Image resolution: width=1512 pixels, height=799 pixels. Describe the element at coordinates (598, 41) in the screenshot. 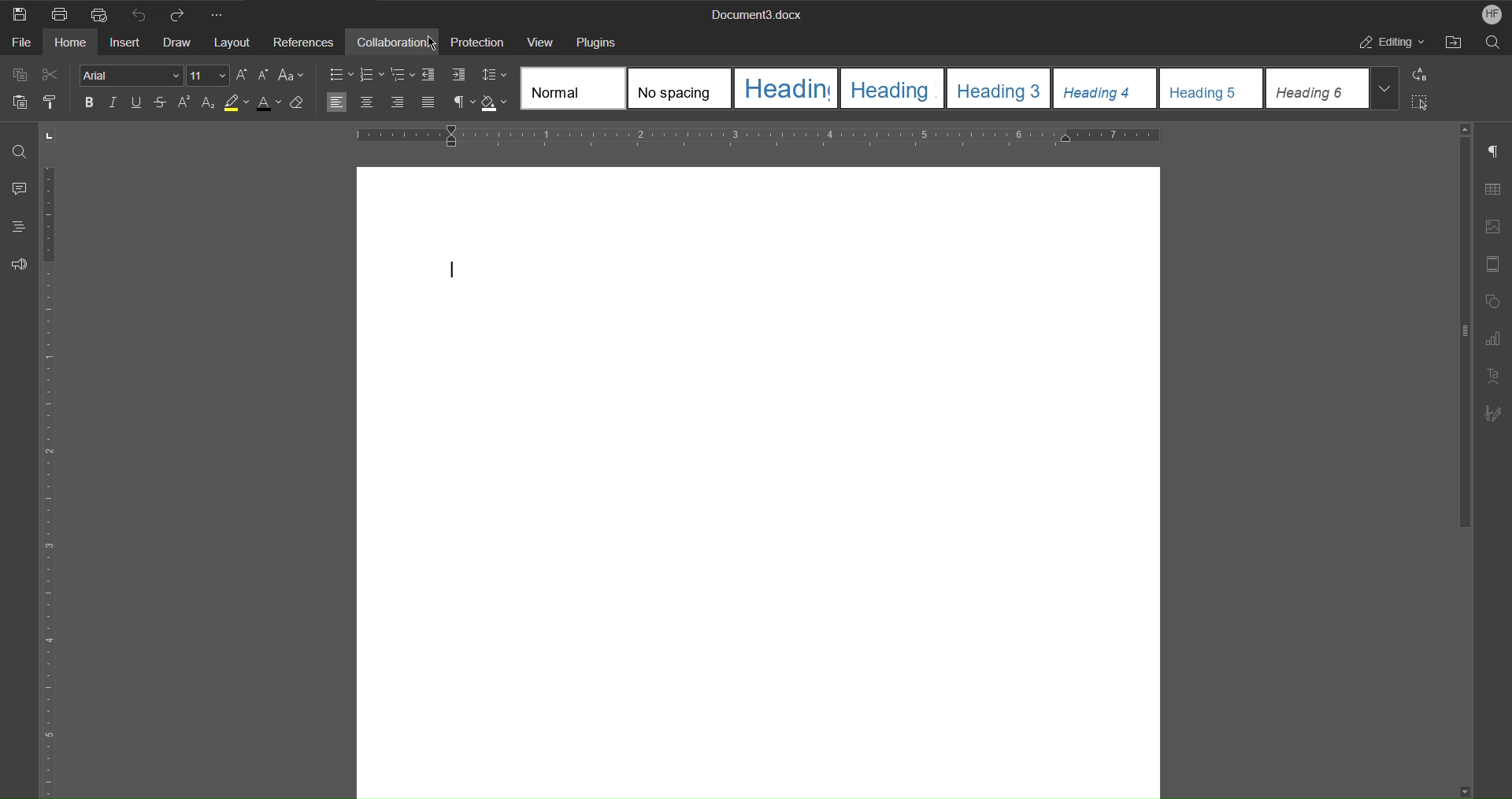

I see `Plugins` at that location.